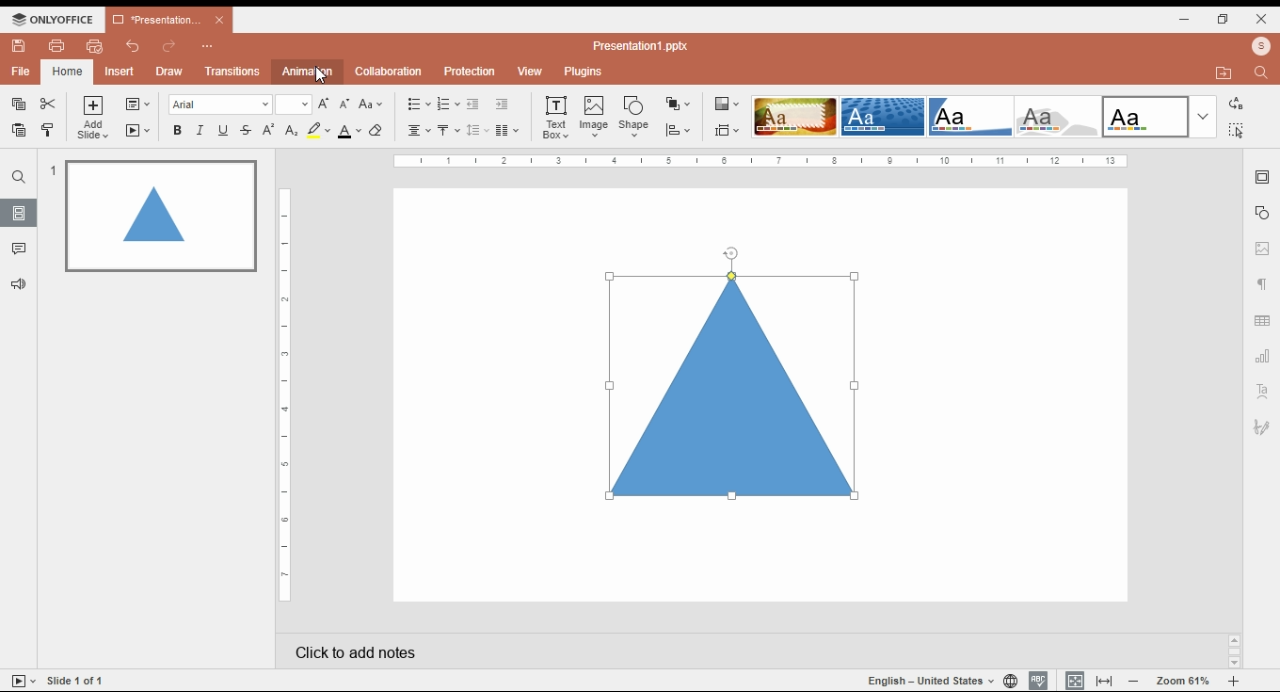  Describe the element at coordinates (377, 131) in the screenshot. I see `erase` at that location.